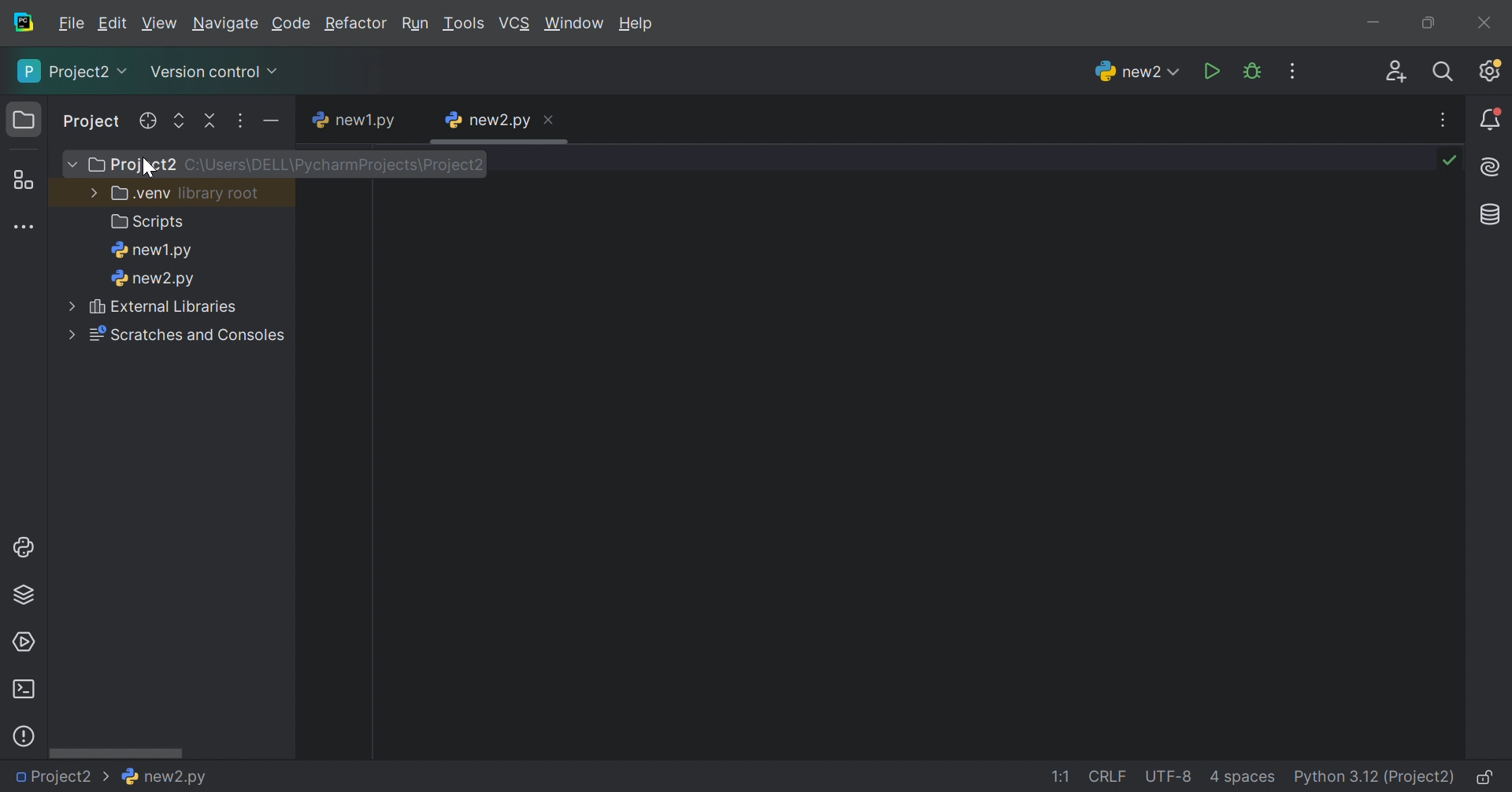 Image resolution: width=1512 pixels, height=792 pixels. I want to click on Problems, so click(26, 737).